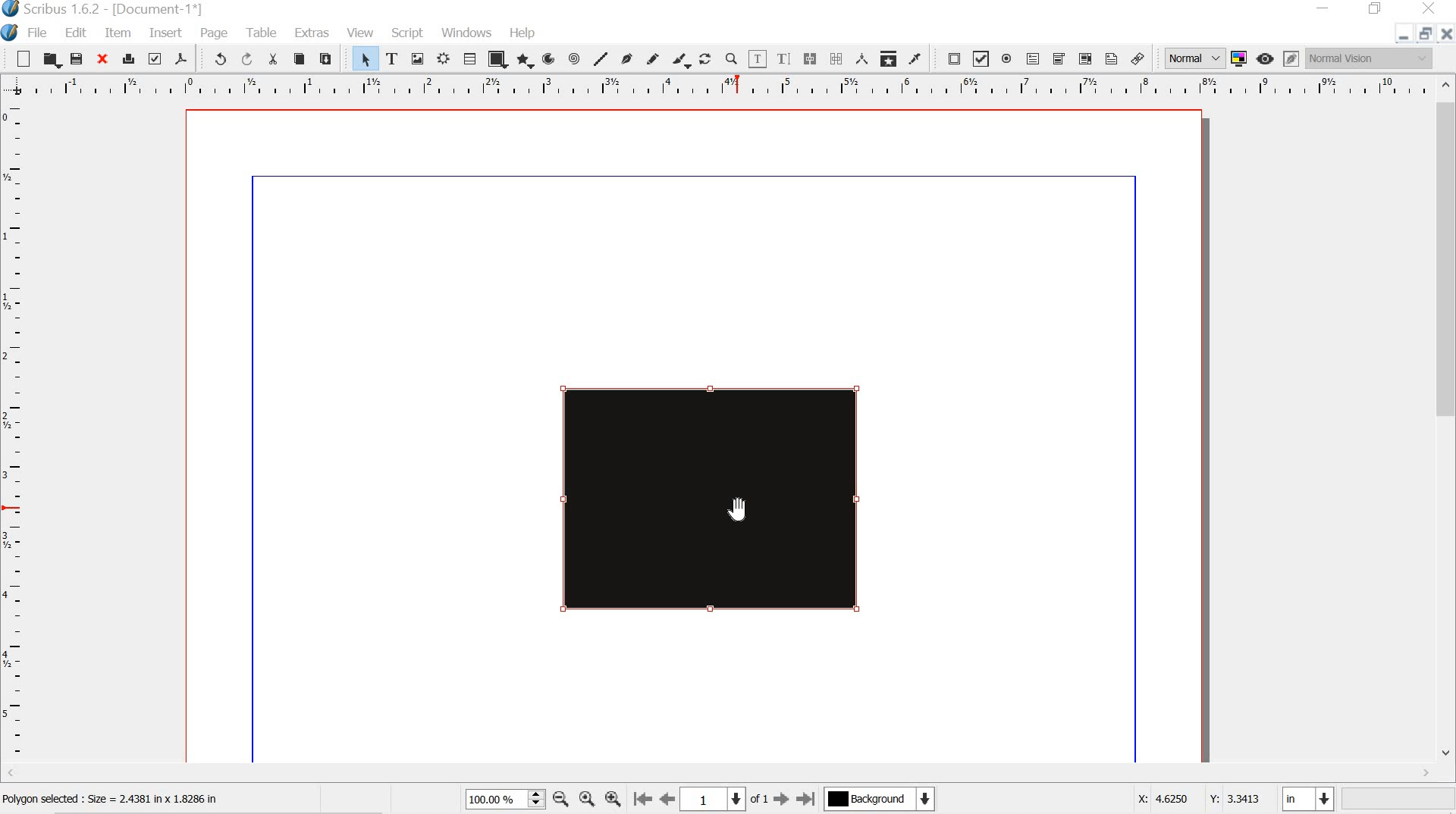 The height and width of the screenshot is (814, 1456). What do you see at coordinates (1373, 58) in the screenshot?
I see `Normal vision` at bounding box center [1373, 58].